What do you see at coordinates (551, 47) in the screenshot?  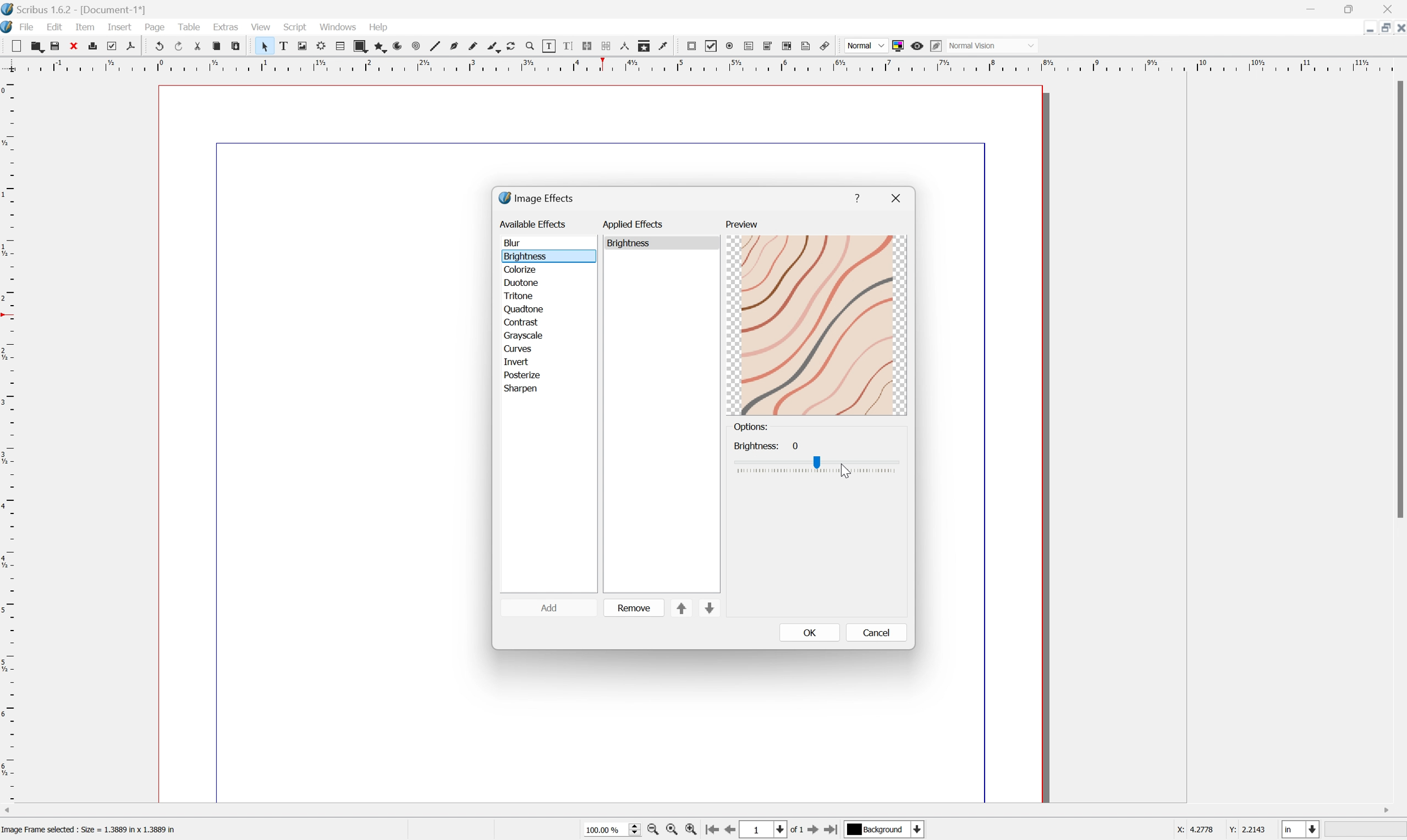 I see `Edit contents of frame` at bounding box center [551, 47].